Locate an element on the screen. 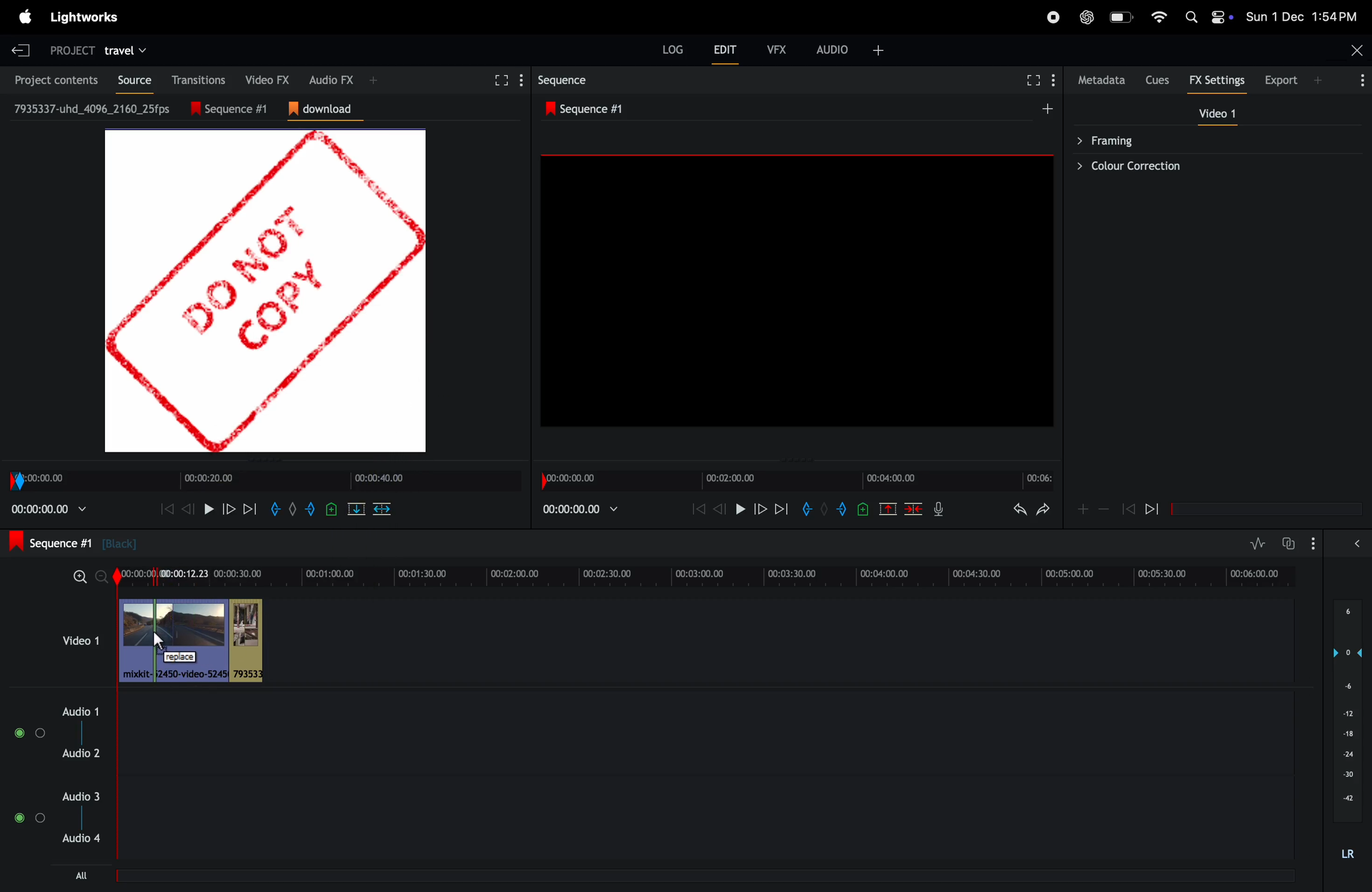 The height and width of the screenshot is (892, 1372). Horizontal slide bar is located at coordinates (1267, 509).